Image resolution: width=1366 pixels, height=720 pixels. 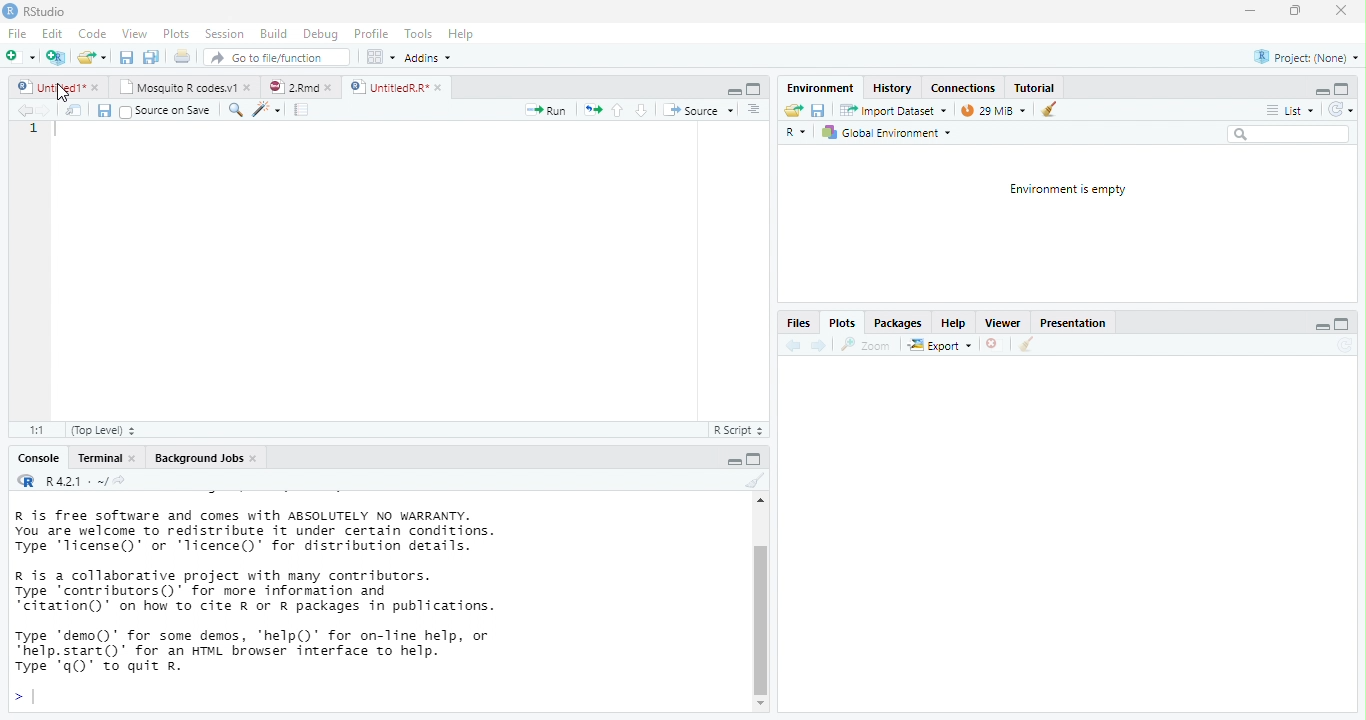 I want to click on Addins, so click(x=428, y=58).